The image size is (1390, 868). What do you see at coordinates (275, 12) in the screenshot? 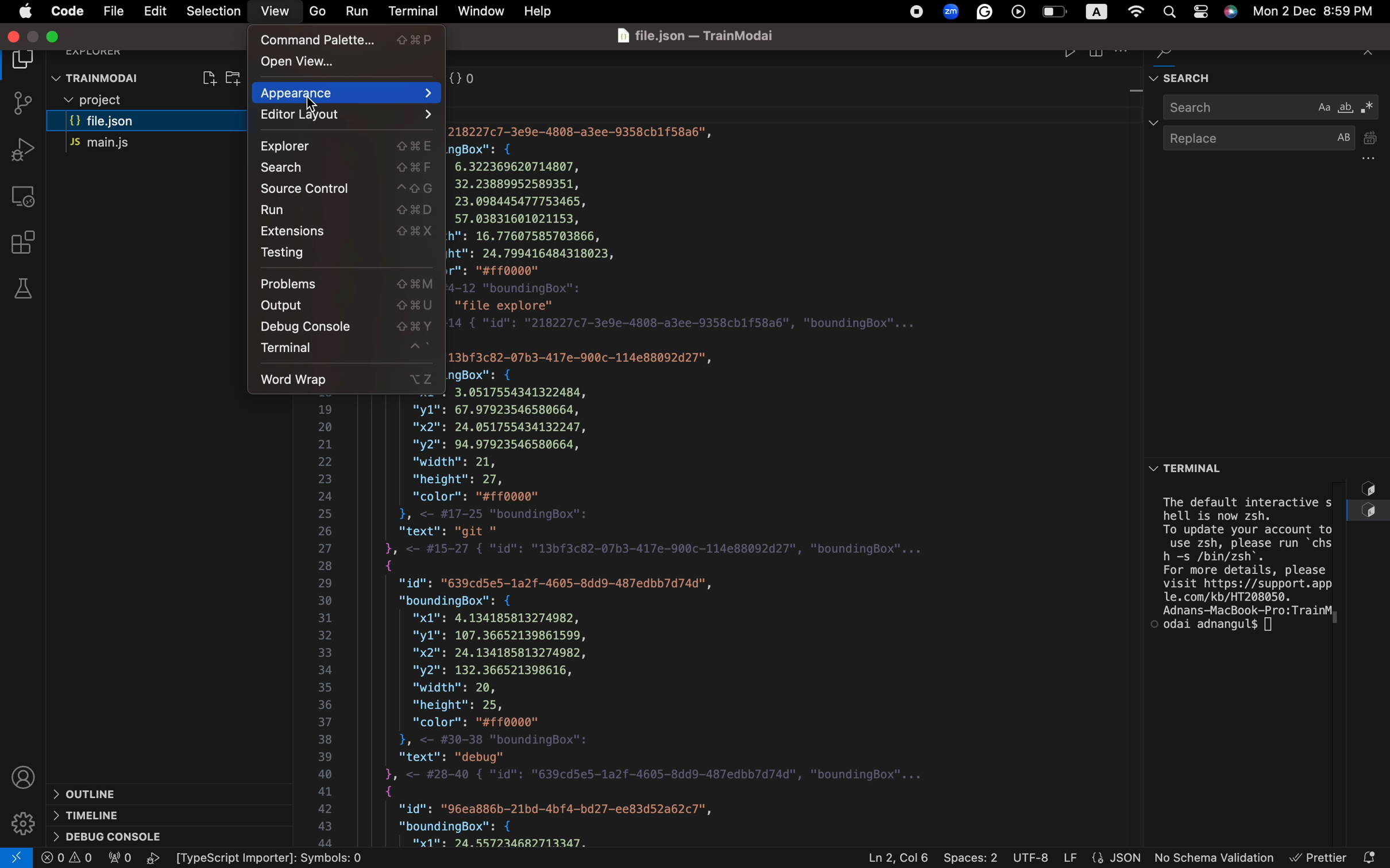
I see `view` at bounding box center [275, 12].